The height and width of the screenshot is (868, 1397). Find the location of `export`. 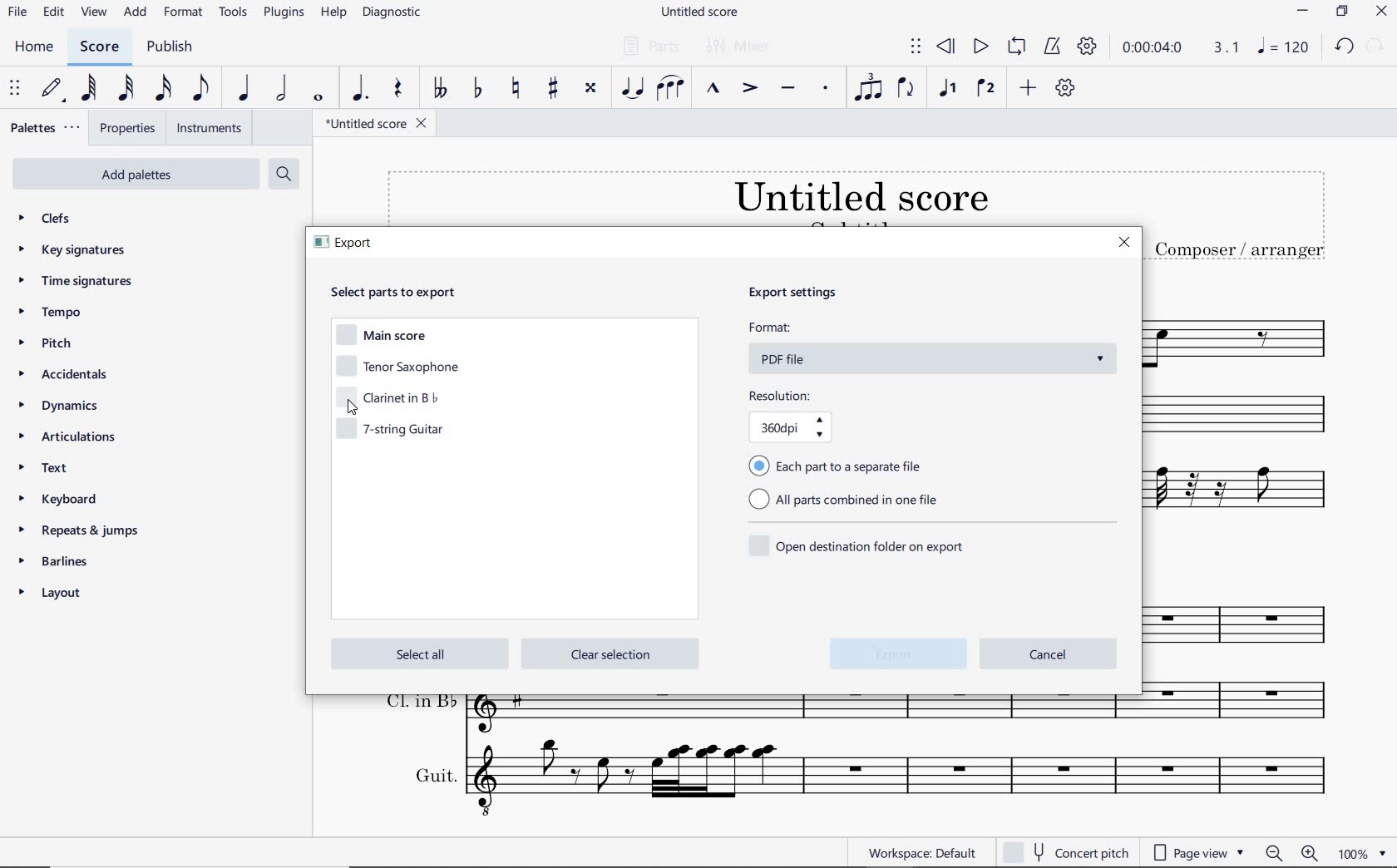

export is located at coordinates (900, 653).